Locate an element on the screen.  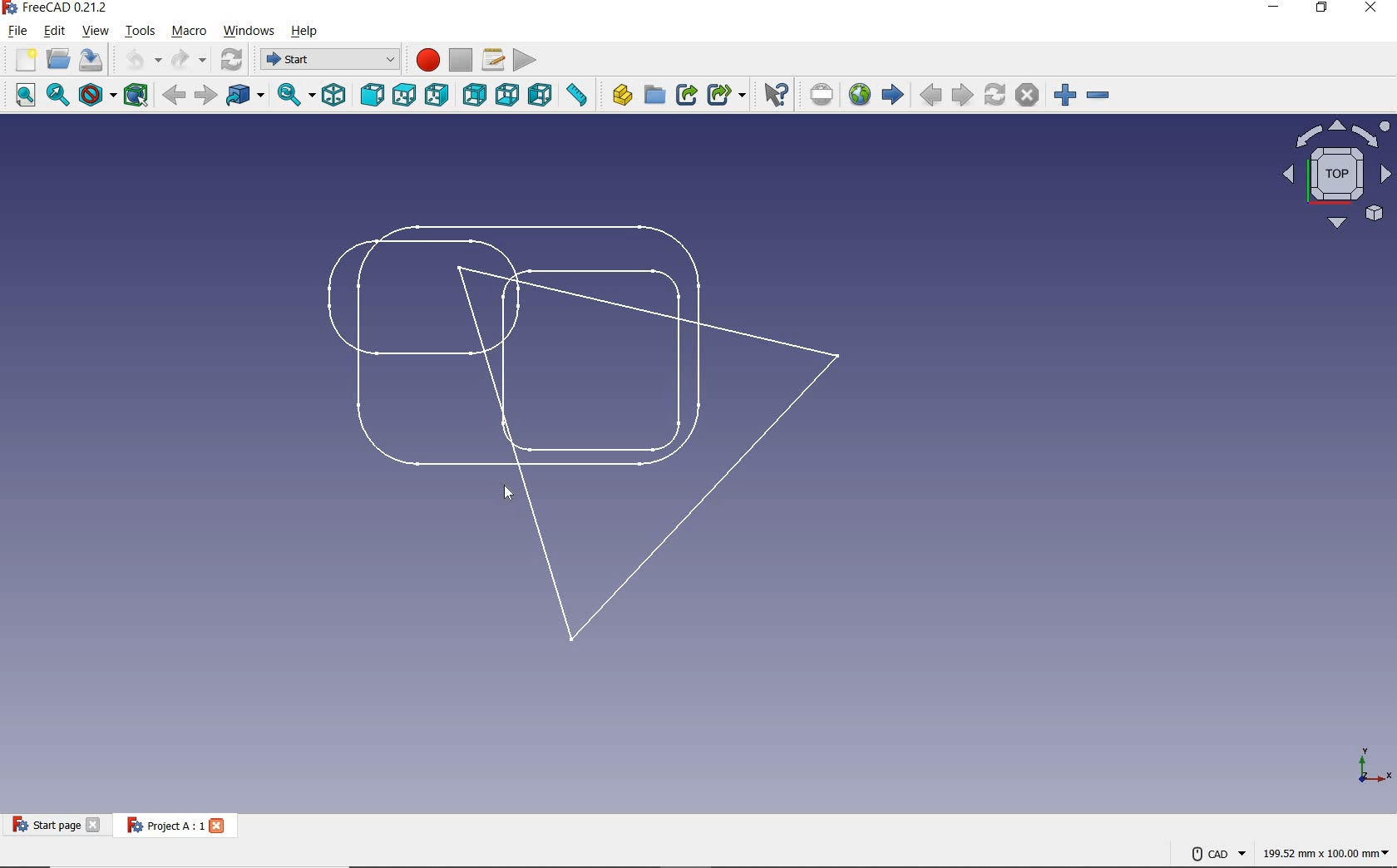
DIMENSION is located at coordinates (1327, 852).